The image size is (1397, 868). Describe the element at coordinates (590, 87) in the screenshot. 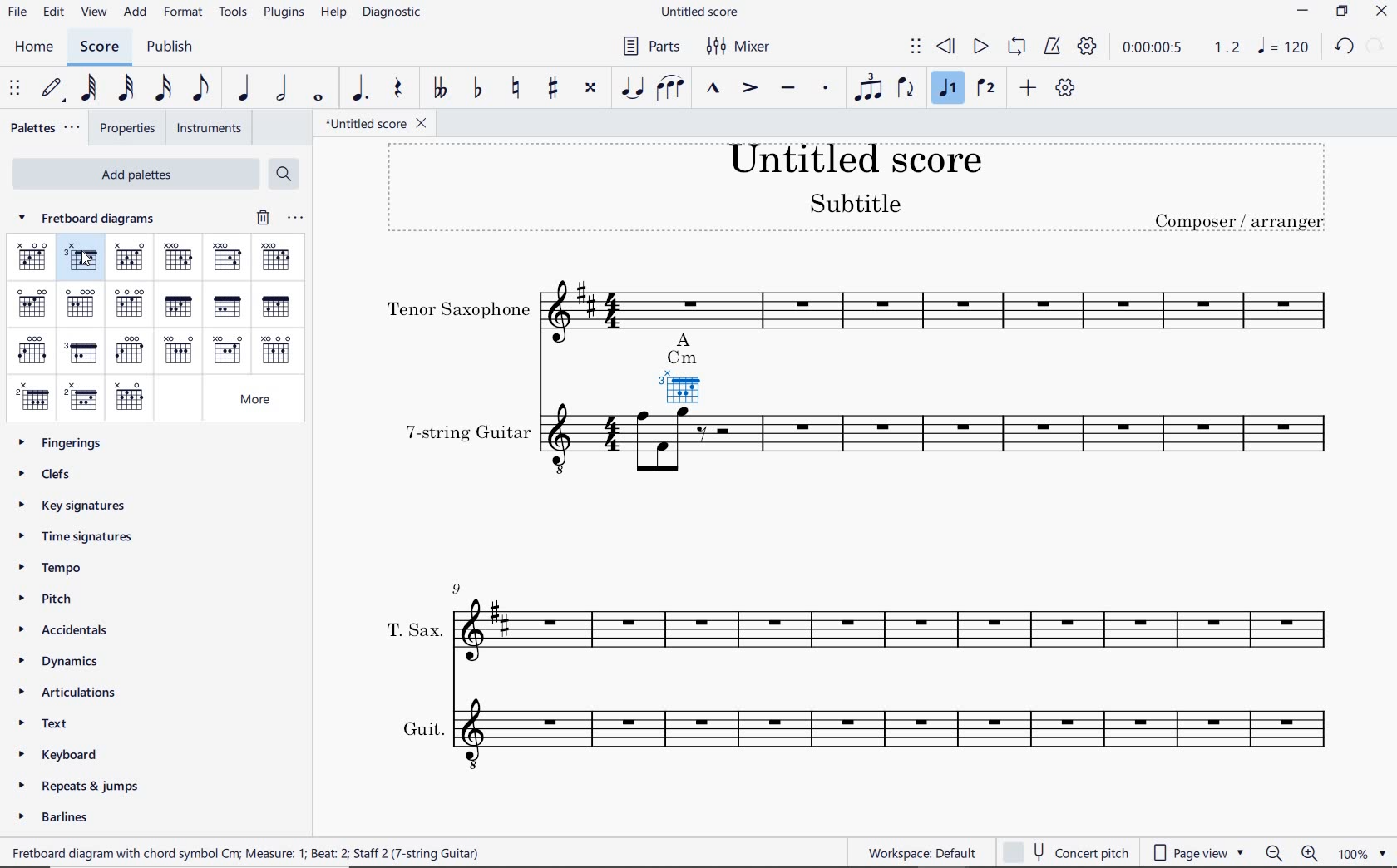

I see `TOGGLE DOUBLE-SHARP` at that location.